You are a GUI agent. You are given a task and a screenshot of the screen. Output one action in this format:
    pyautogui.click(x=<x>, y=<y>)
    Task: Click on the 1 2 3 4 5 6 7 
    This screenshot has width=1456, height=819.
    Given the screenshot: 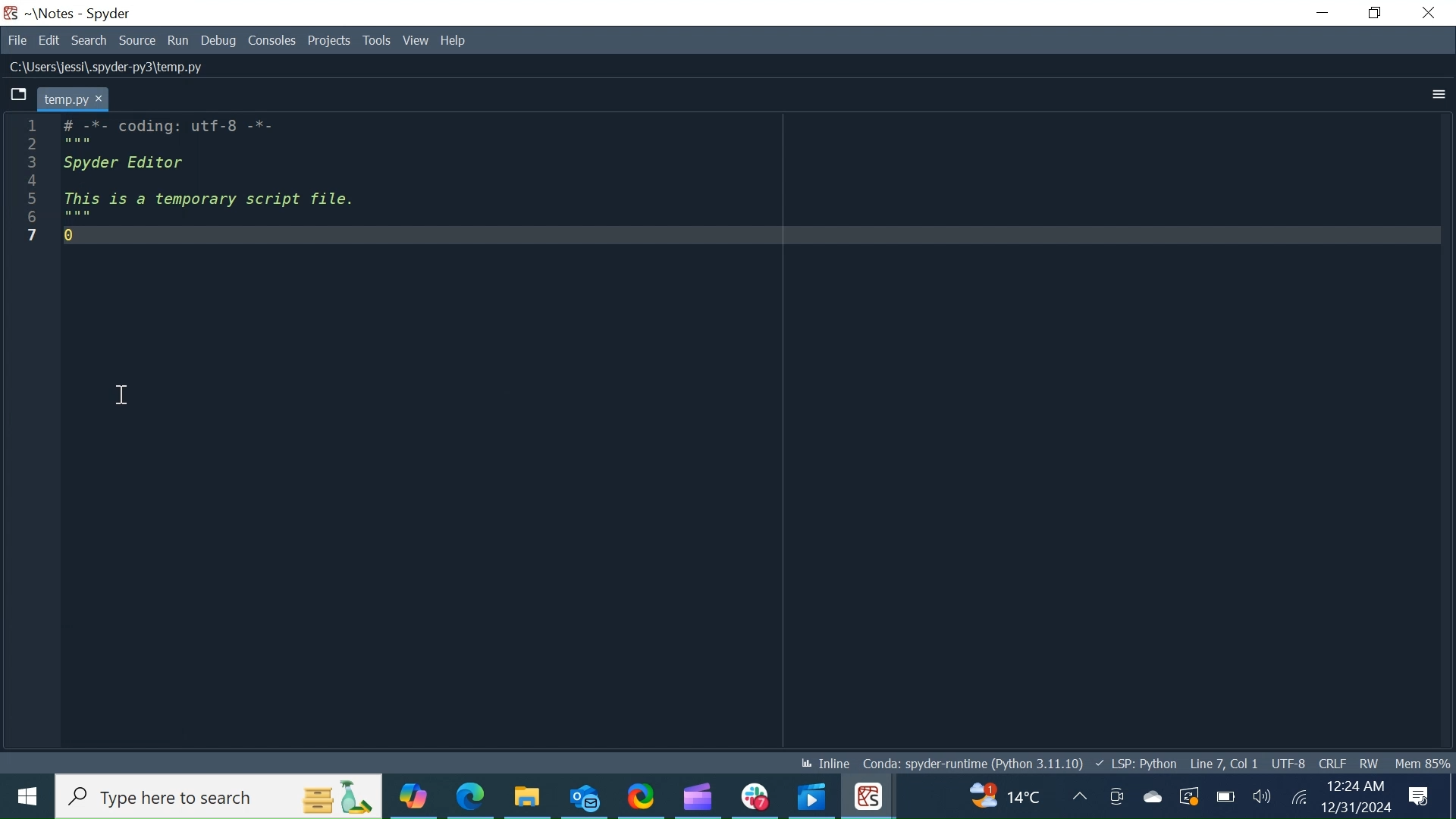 What is the action you would take?
    pyautogui.click(x=30, y=182)
    